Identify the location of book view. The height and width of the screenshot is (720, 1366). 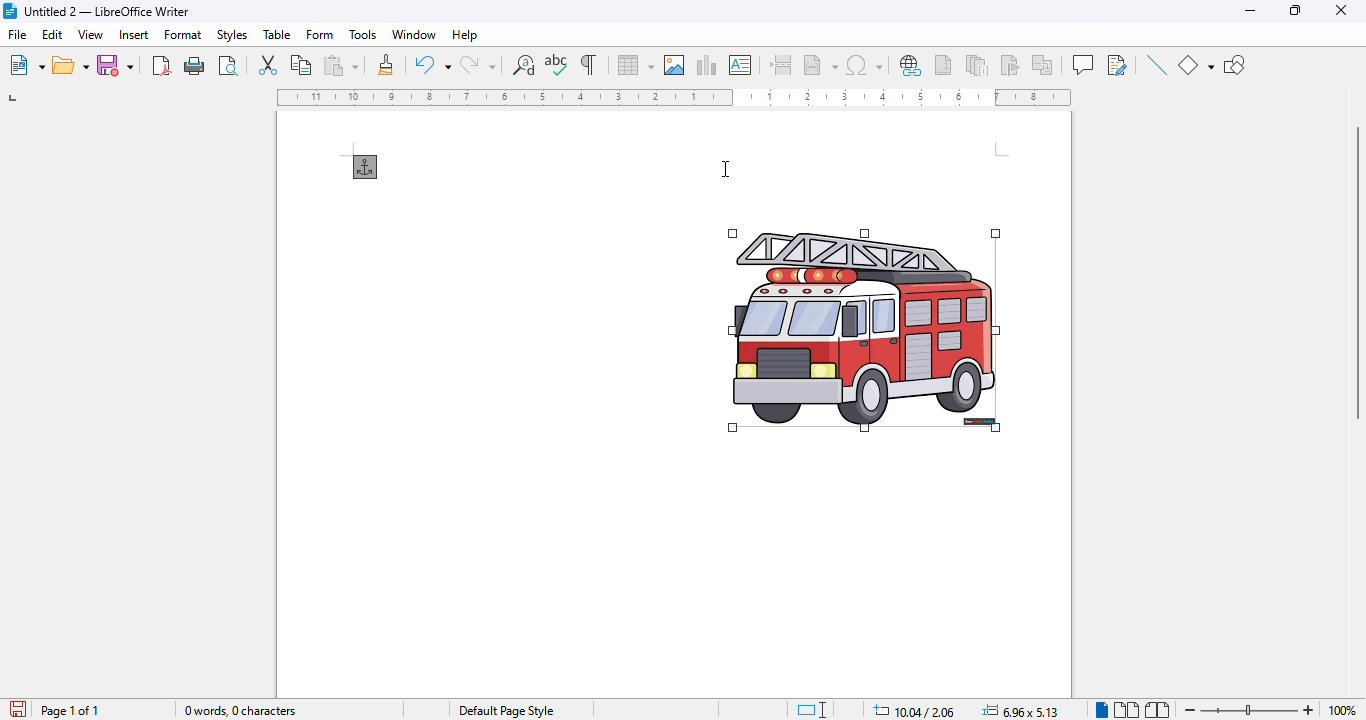
(1157, 710).